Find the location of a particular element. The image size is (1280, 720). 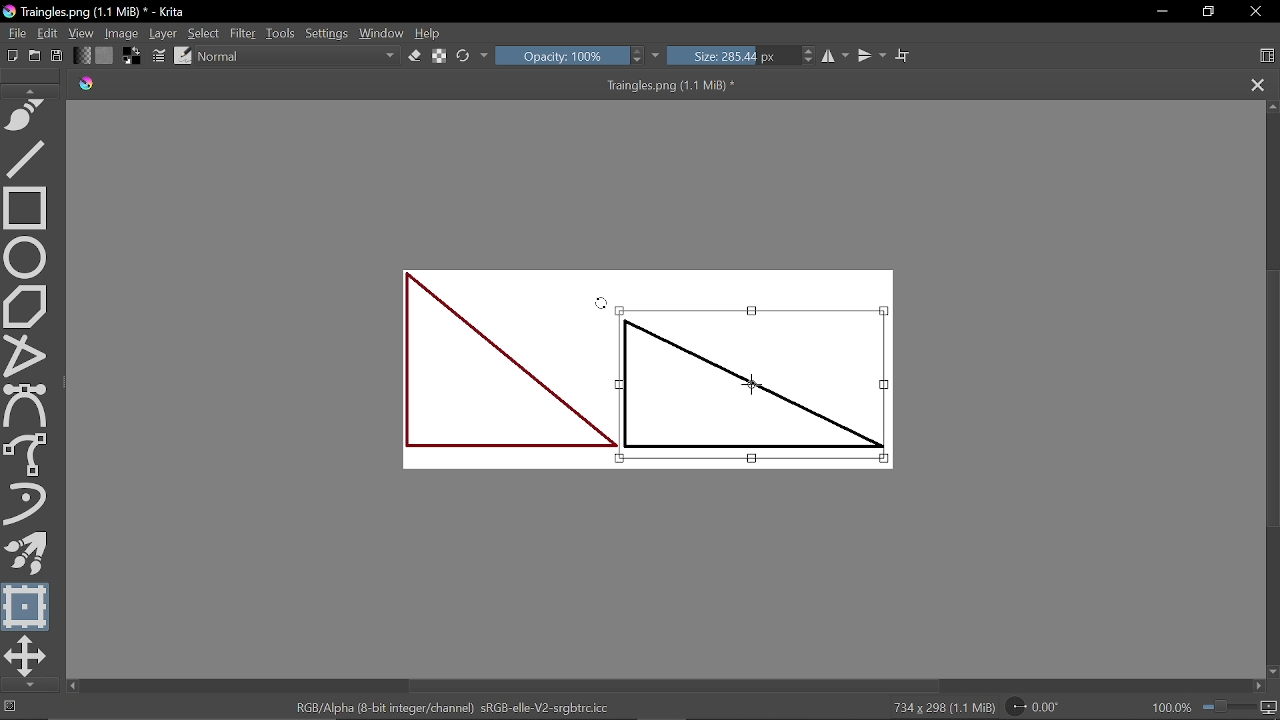

Preserve alpha is located at coordinates (441, 56).